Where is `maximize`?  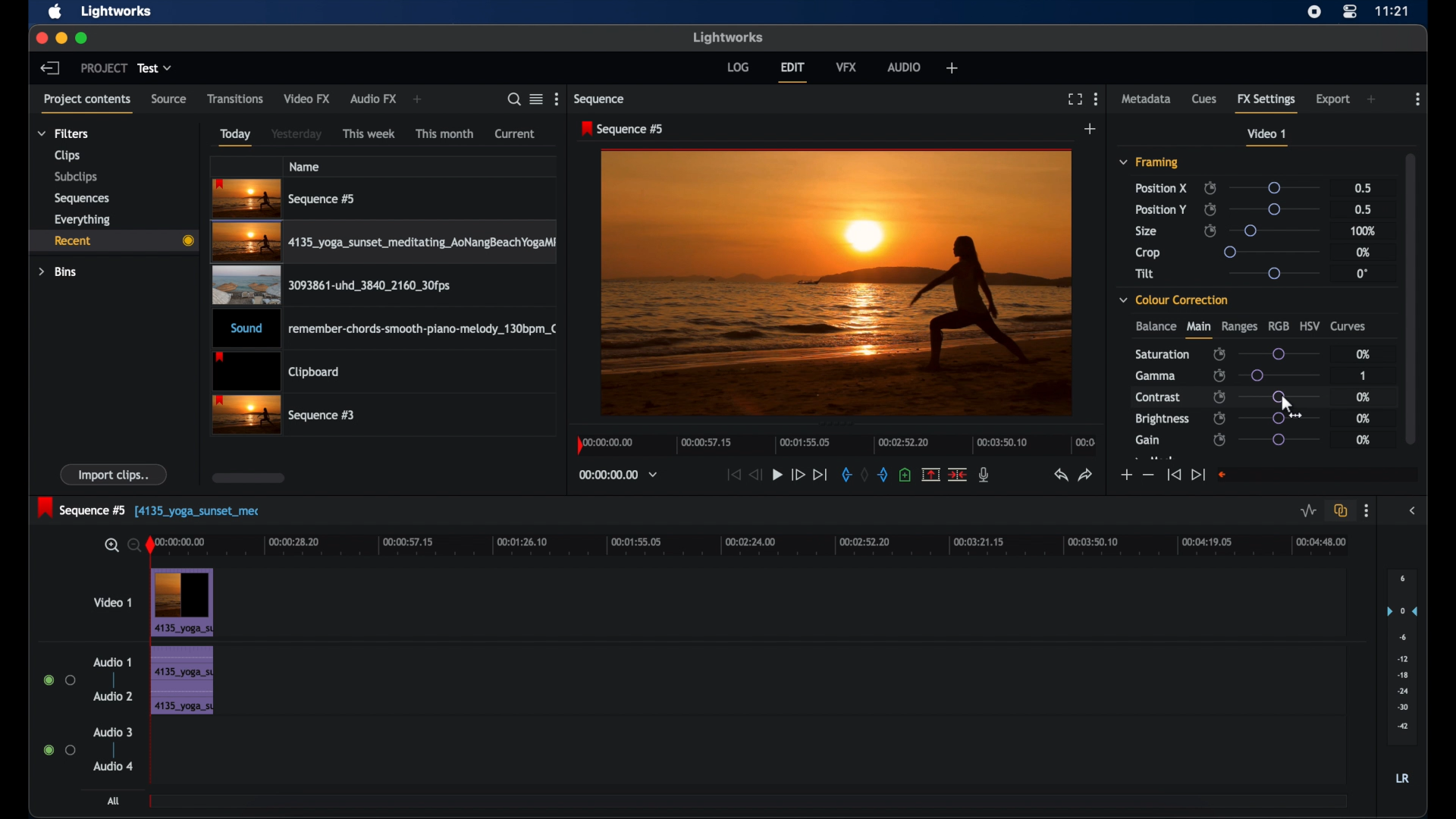 maximize is located at coordinates (83, 38).